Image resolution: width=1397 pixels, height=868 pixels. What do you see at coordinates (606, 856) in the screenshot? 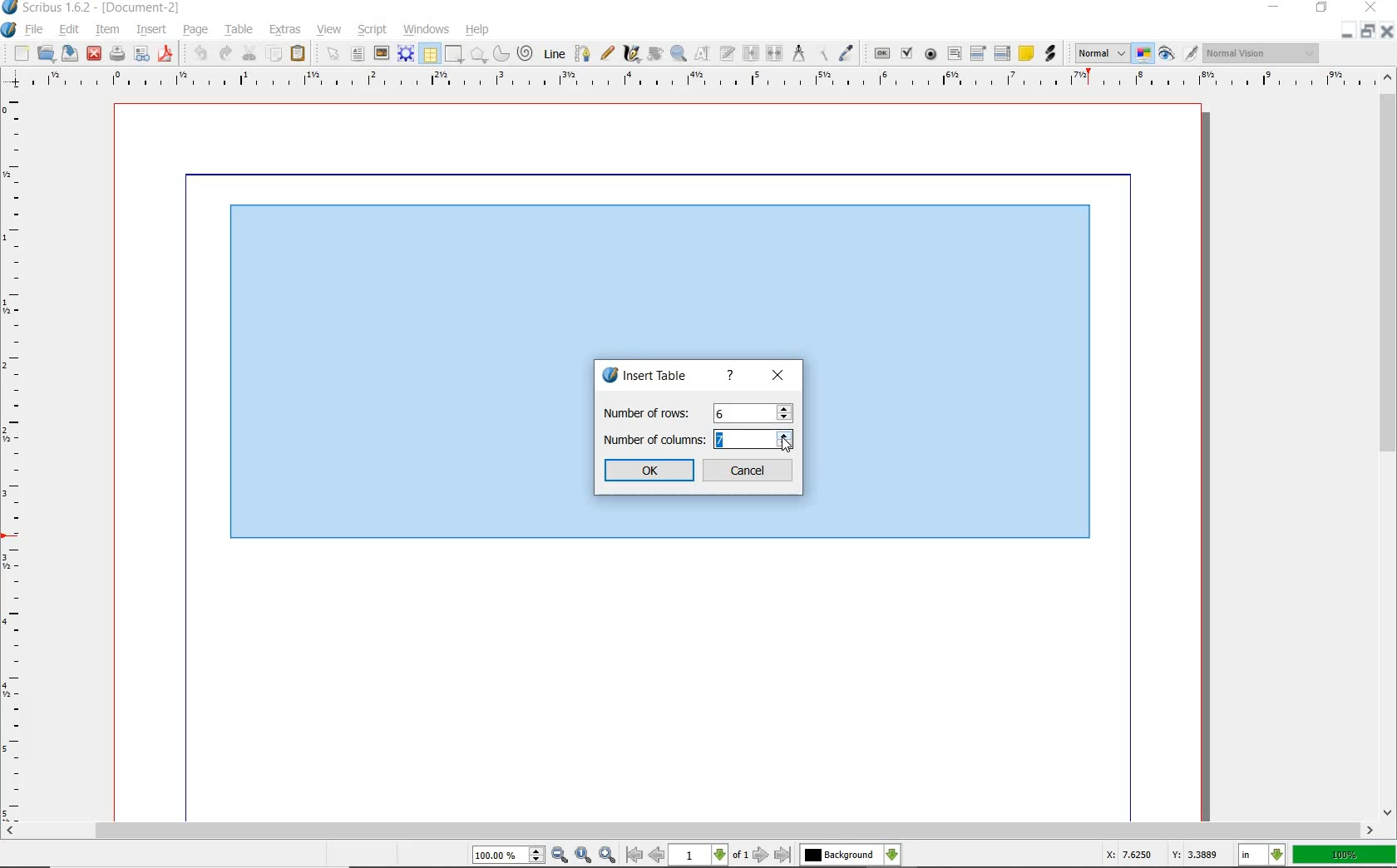
I see `zoom in` at bounding box center [606, 856].